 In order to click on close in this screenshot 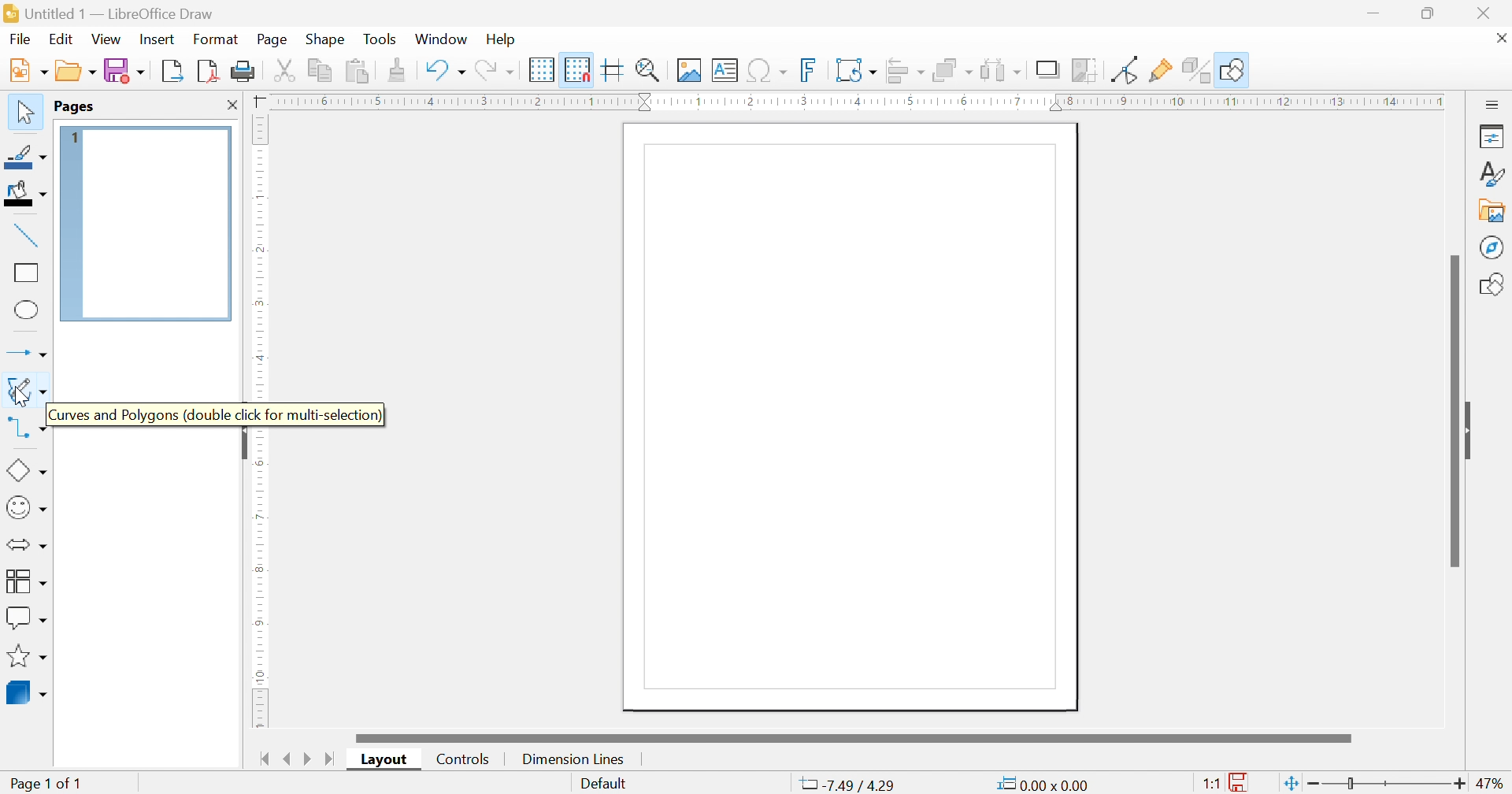, I will do `click(1482, 11)`.